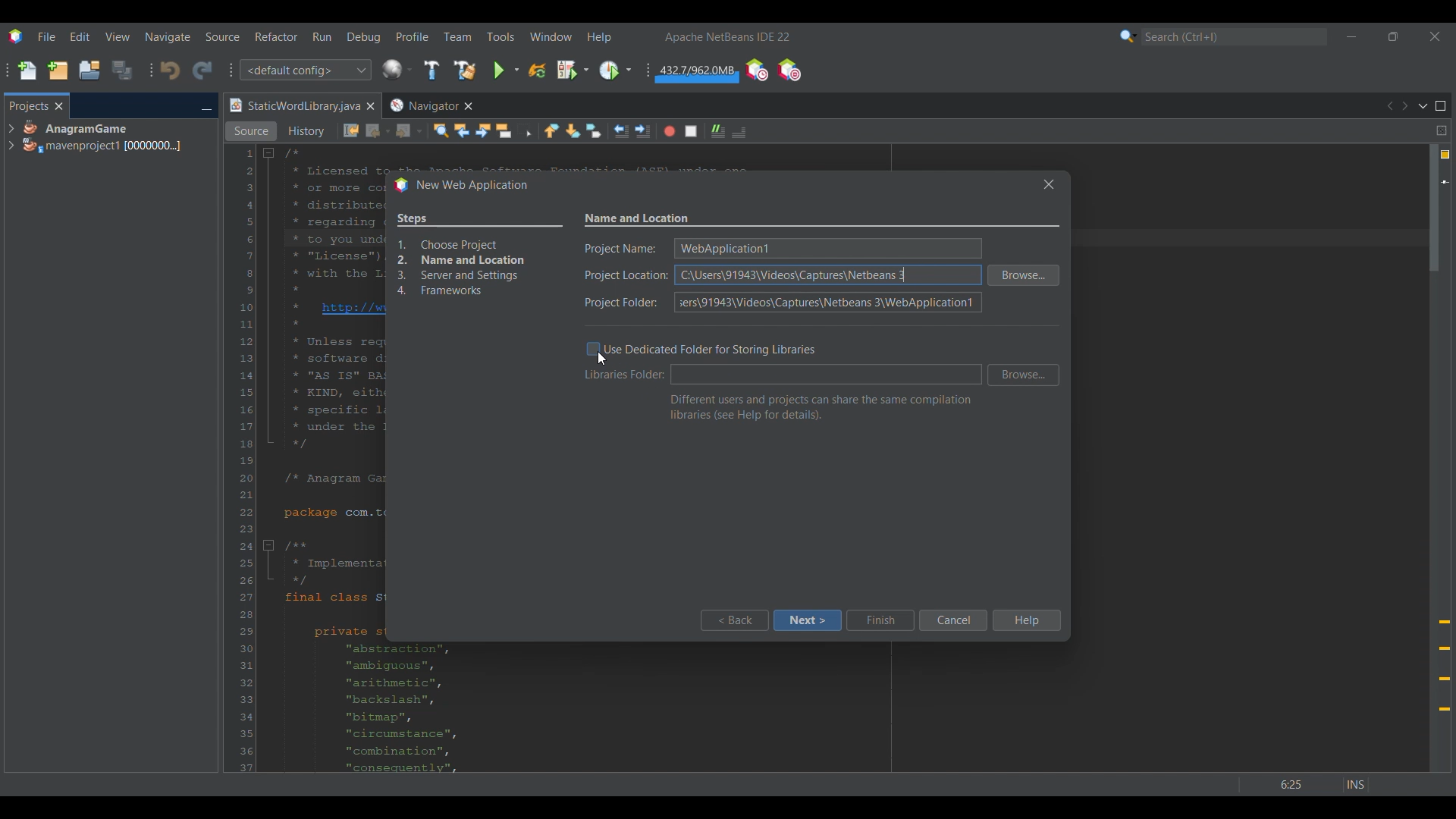 This screenshot has height=819, width=1456. Describe the element at coordinates (118, 36) in the screenshot. I see `View menu` at that location.